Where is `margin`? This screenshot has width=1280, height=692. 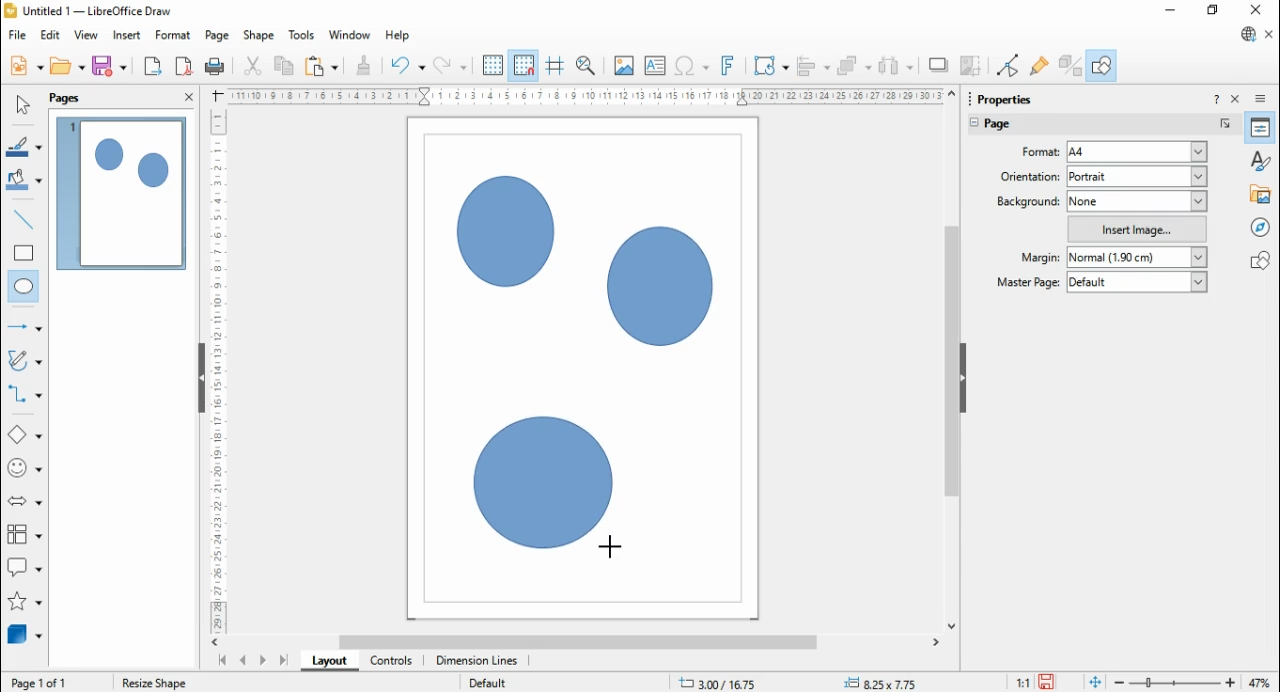 margin is located at coordinates (1040, 257).